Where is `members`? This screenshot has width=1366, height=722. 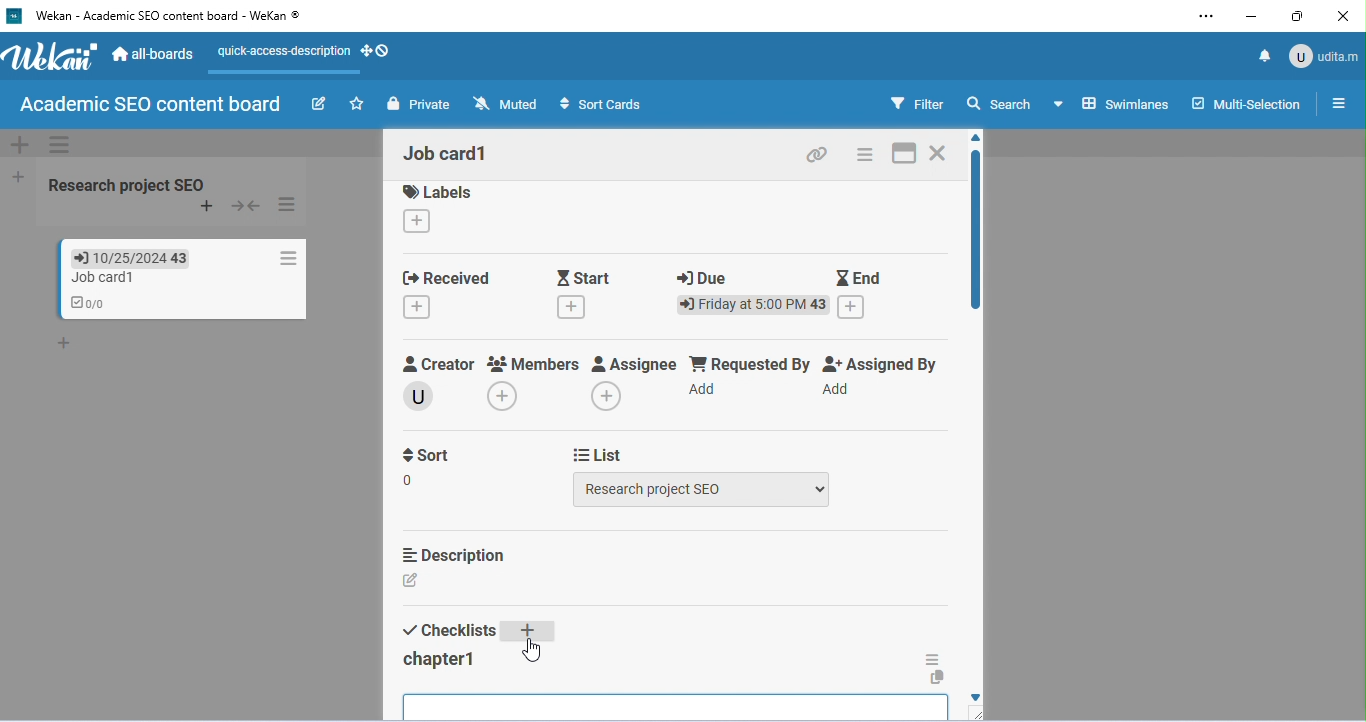
members is located at coordinates (534, 366).